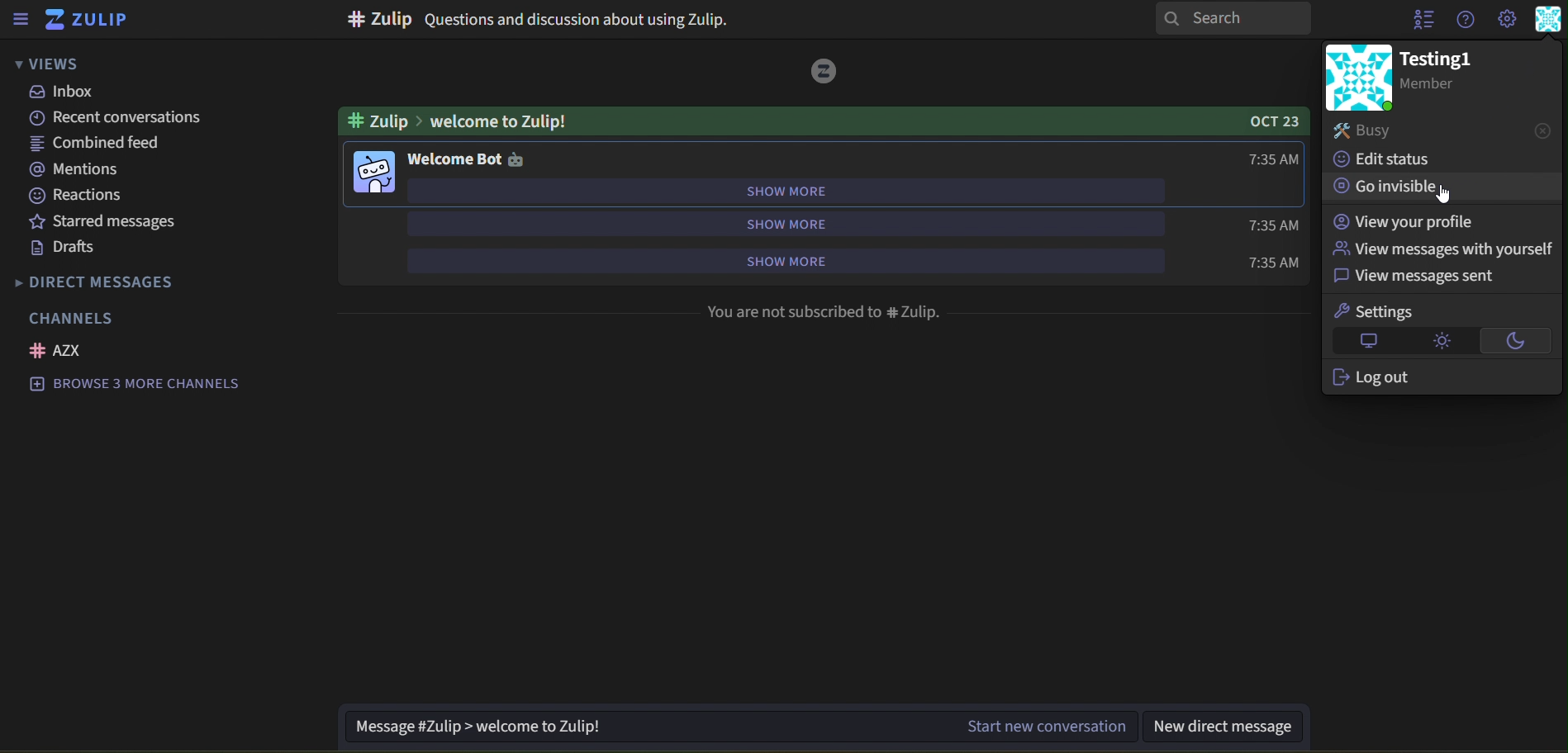 The image size is (1568, 753). I want to click on view messages with yourself, so click(1442, 249).